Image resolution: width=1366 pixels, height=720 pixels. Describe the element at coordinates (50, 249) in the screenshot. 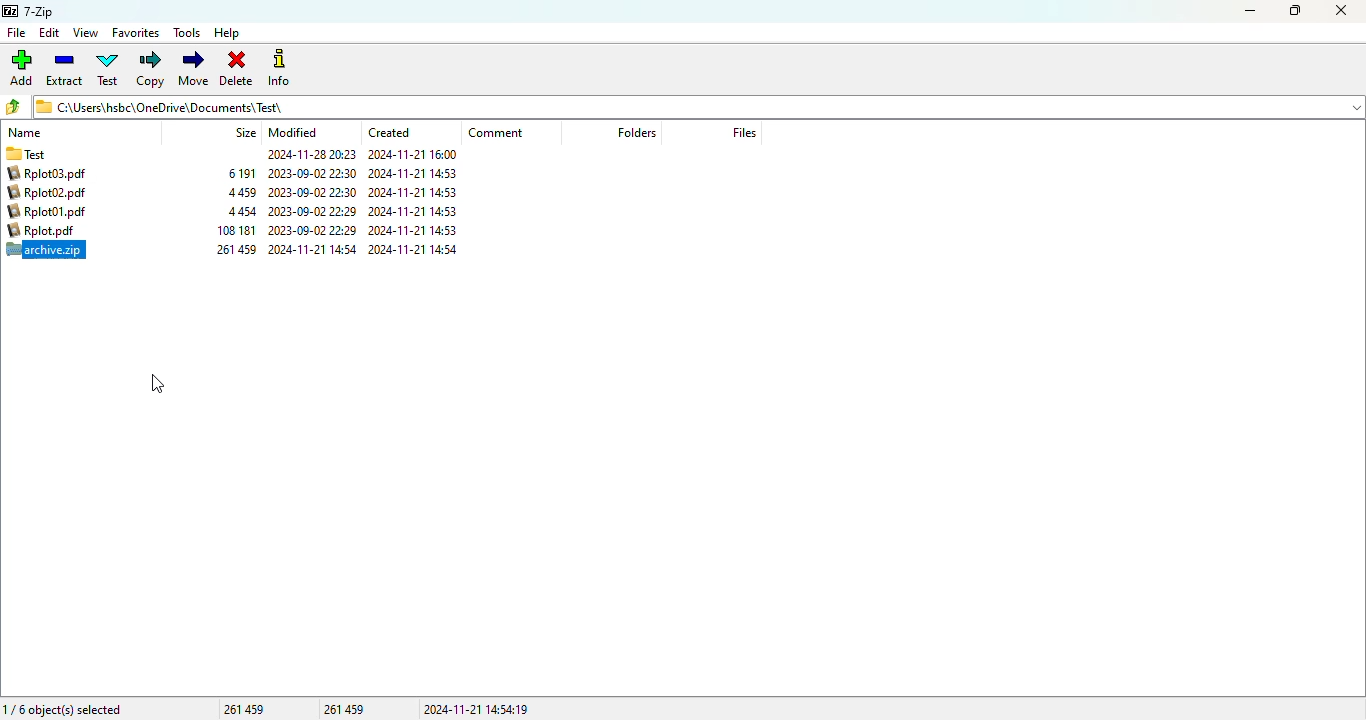

I see `Rplot.pdf 108181 2023-09-02 22:29 2024-11-21 14:53` at that location.